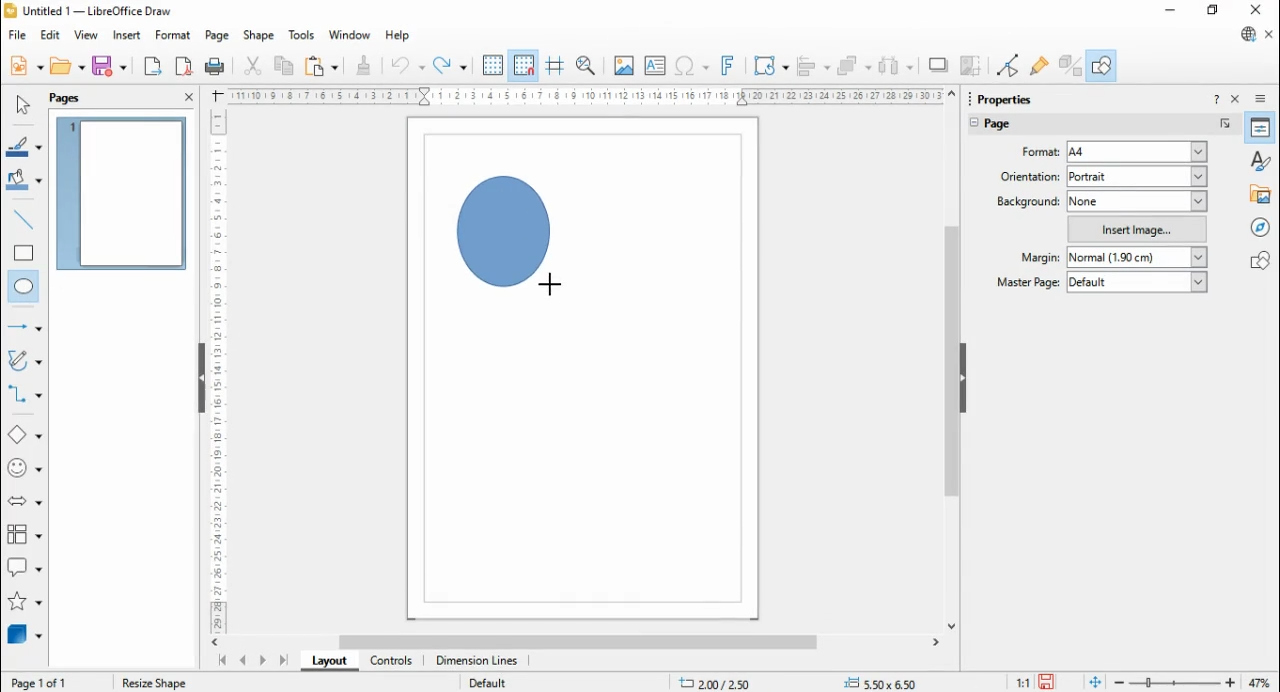 The image size is (1280, 692). Describe the element at coordinates (939, 65) in the screenshot. I see `shadow` at that location.